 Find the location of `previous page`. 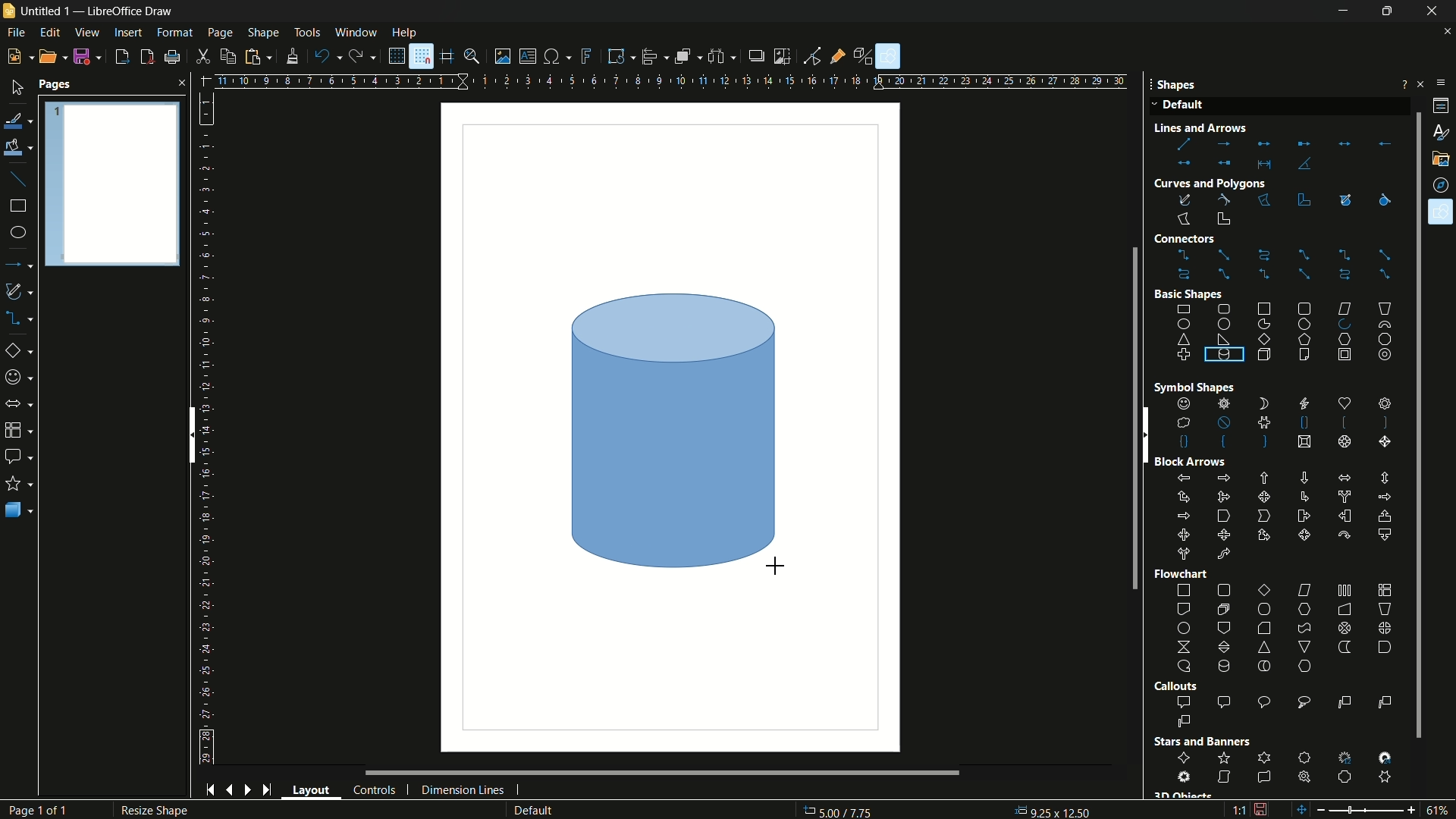

previous page is located at coordinates (230, 792).